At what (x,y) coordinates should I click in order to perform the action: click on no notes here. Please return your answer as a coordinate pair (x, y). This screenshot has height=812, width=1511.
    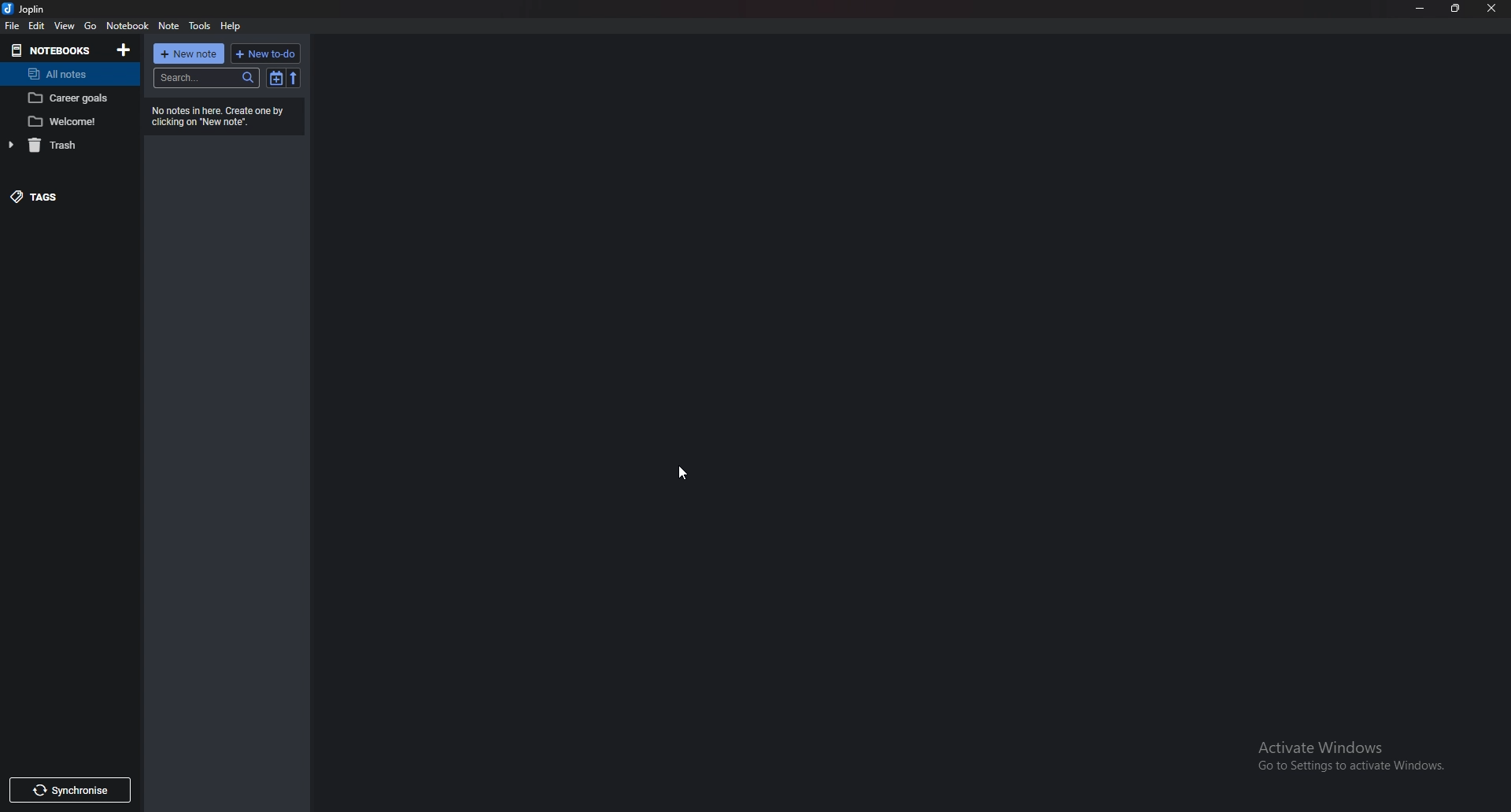
    Looking at the image, I should click on (225, 116).